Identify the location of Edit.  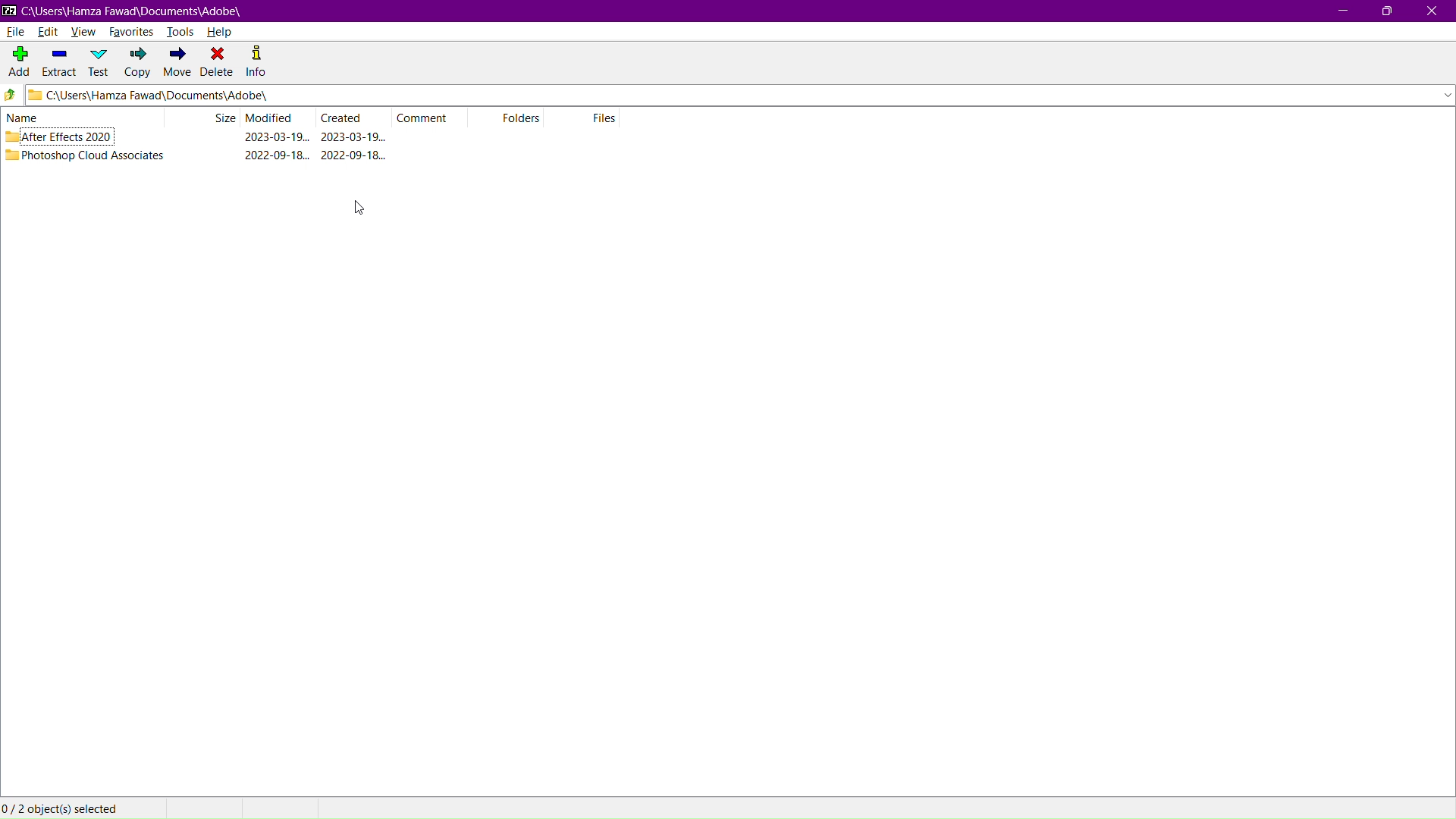
(49, 31).